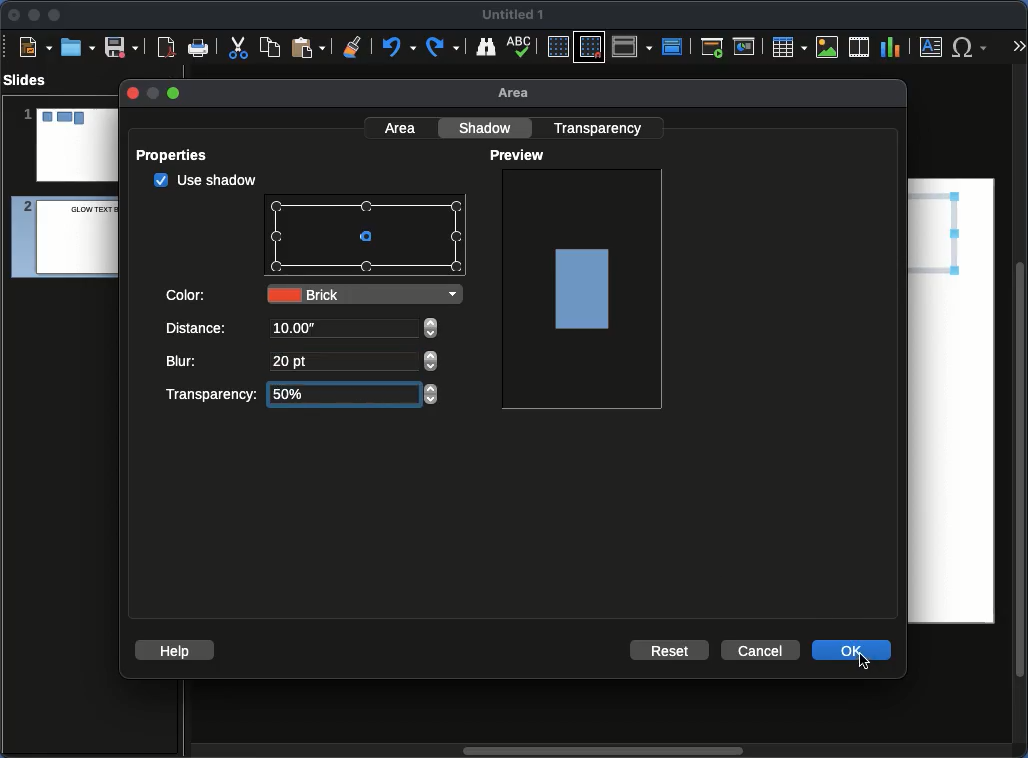 The image size is (1028, 758). What do you see at coordinates (932, 46) in the screenshot?
I see `Textbox` at bounding box center [932, 46].